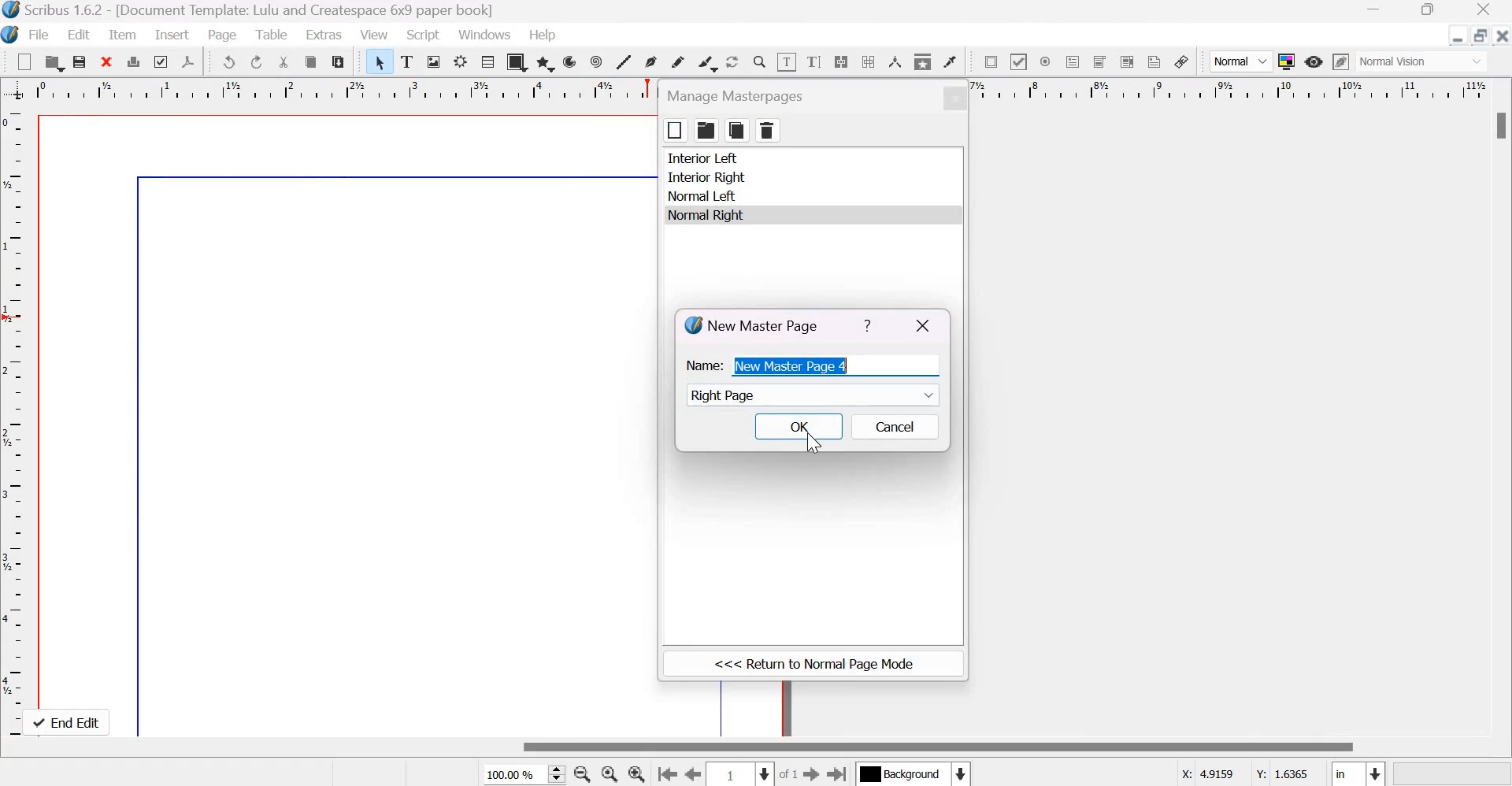  Describe the element at coordinates (1284, 773) in the screenshot. I see `Y coordinates` at that location.